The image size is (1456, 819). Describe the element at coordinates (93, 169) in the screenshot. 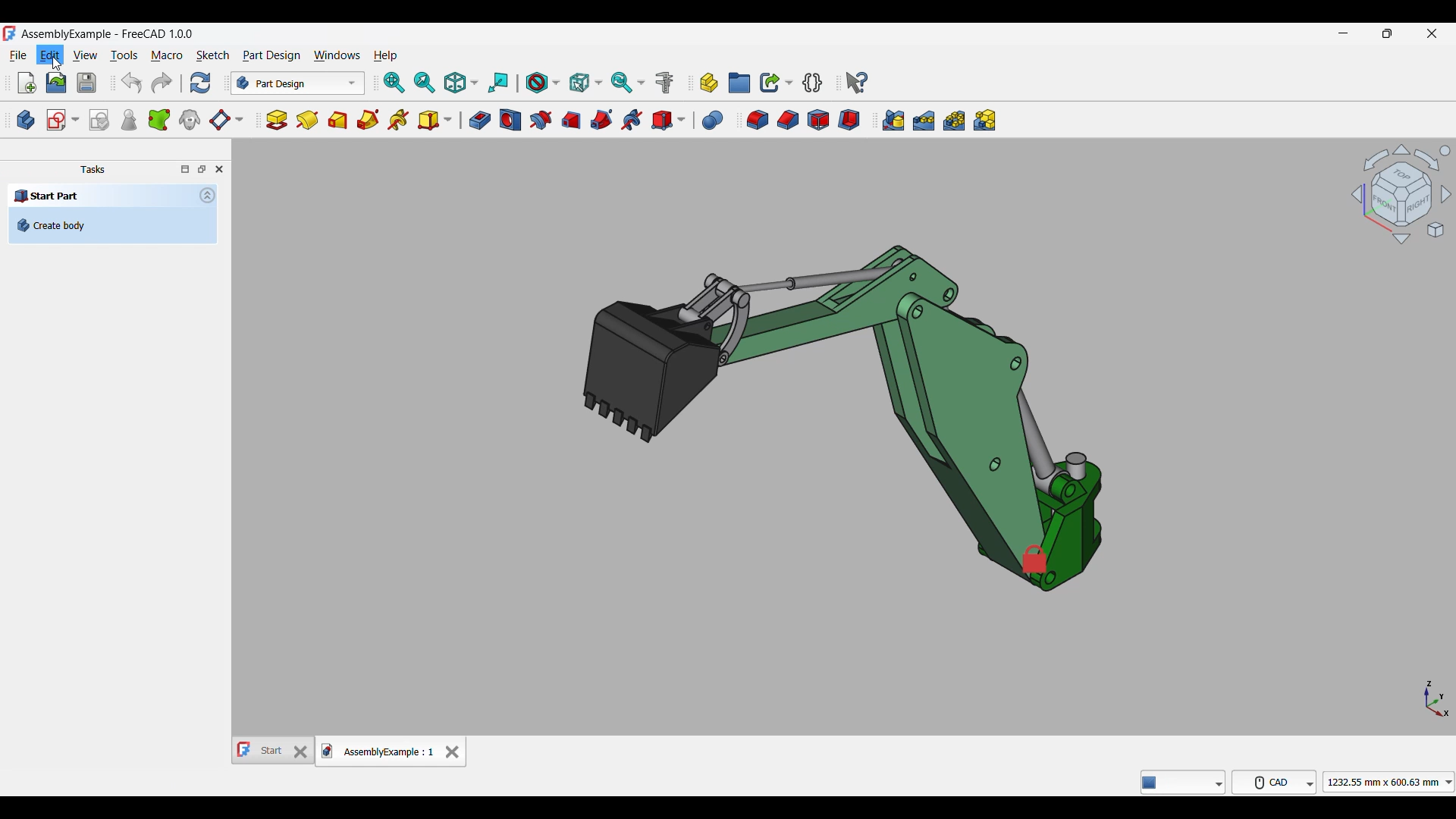

I see `Tasks - pane title ` at that location.